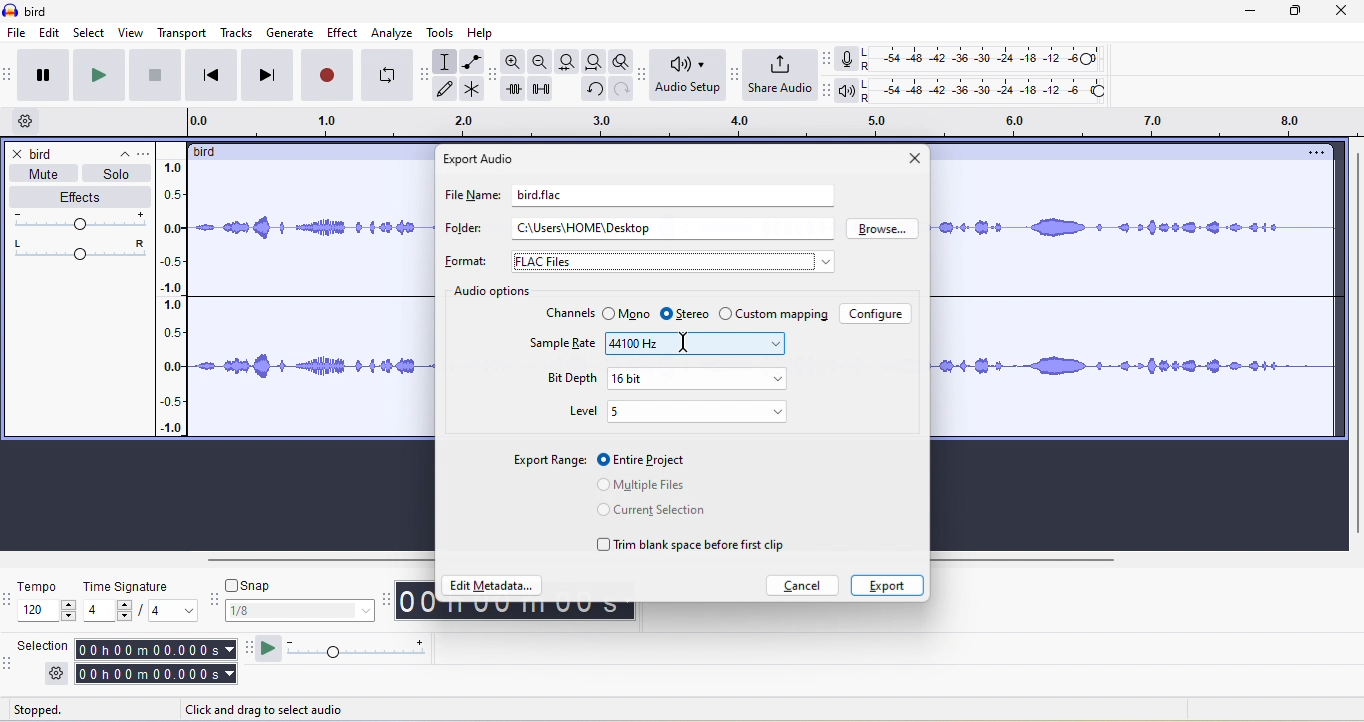  What do you see at coordinates (822, 58) in the screenshot?
I see `audacity recording meter toolbar` at bounding box center [822, 58].